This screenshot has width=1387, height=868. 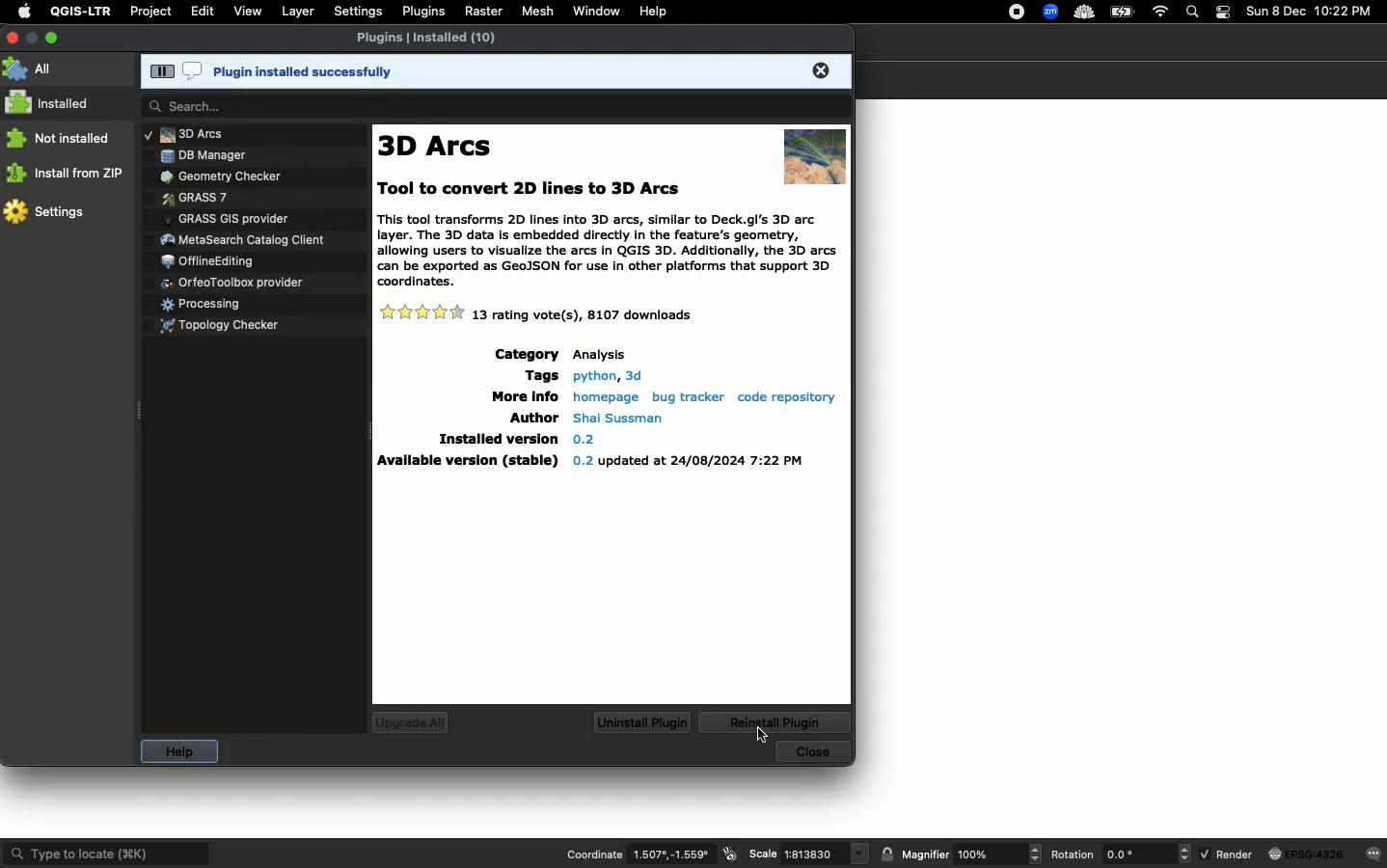 What do you see at coordinates (1193, 12) in the screenshot?
I see `Search` at bounding box center [1193, 12].